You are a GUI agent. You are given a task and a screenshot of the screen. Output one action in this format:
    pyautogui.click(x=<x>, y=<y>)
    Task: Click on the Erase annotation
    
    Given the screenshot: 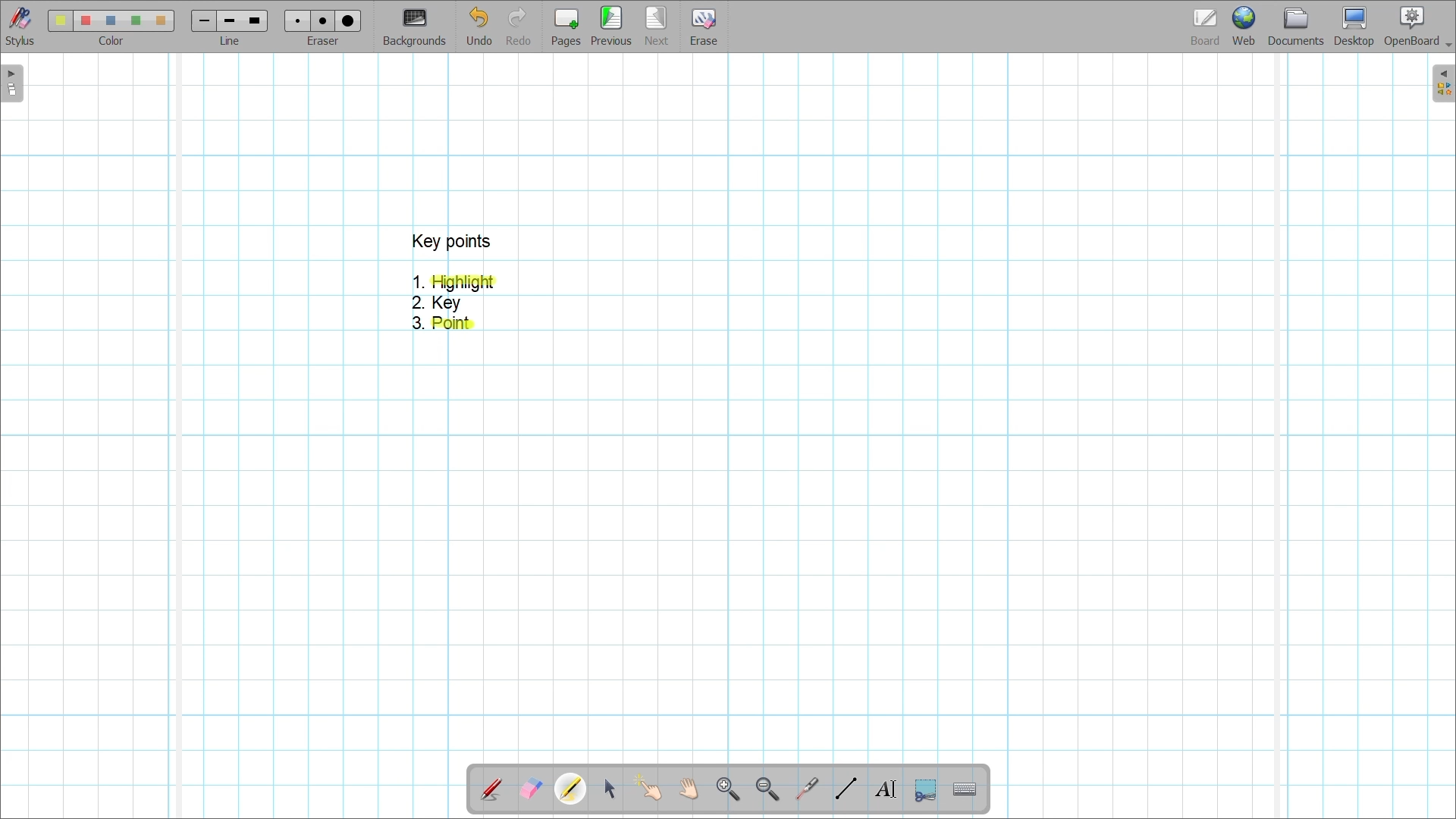 What is the action you would take?
    pyautogui.click(x=532, y=789)
    